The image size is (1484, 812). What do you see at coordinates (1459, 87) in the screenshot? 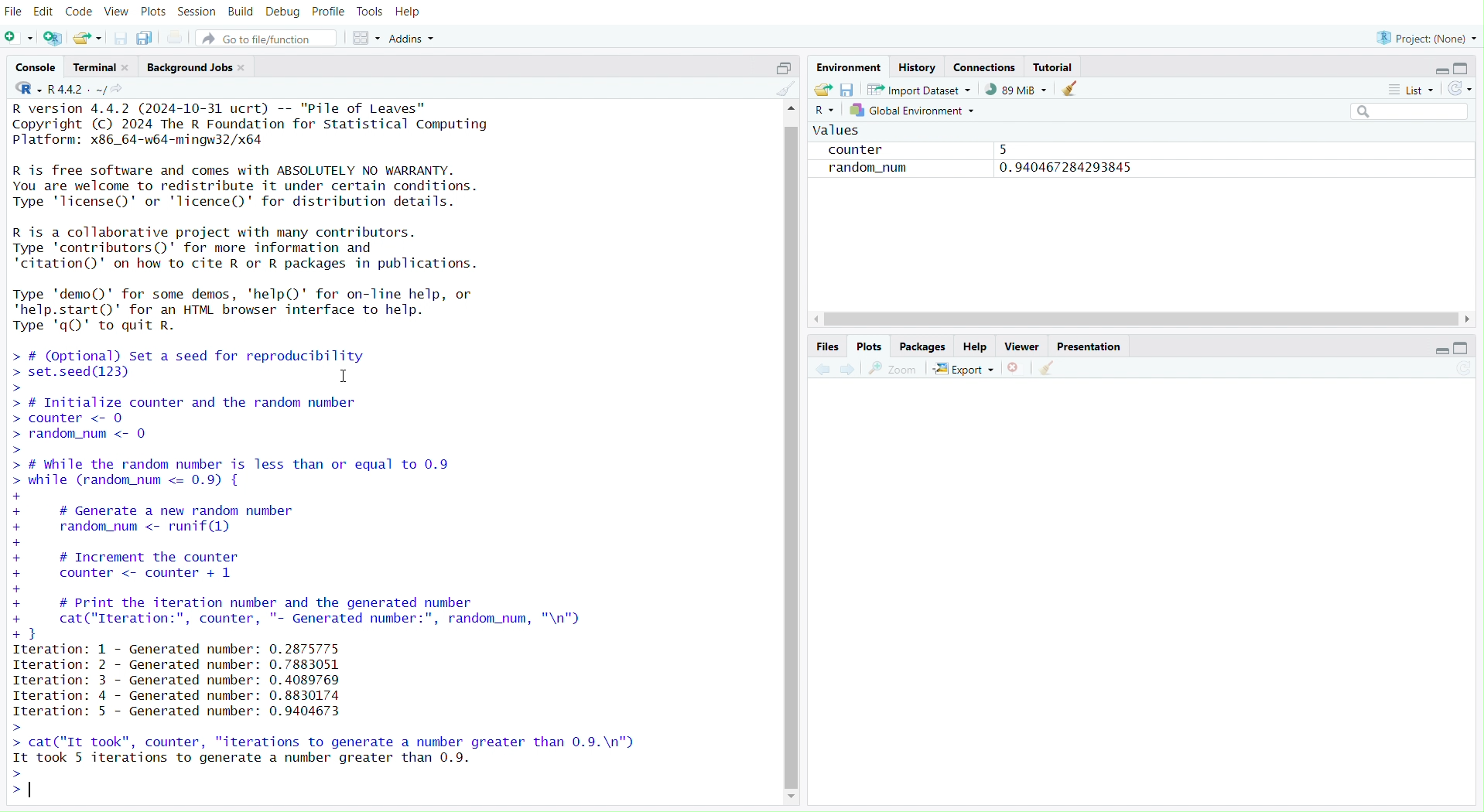
I see `Refresh the list of objects in the environment` at bounding box center [1459, 87].